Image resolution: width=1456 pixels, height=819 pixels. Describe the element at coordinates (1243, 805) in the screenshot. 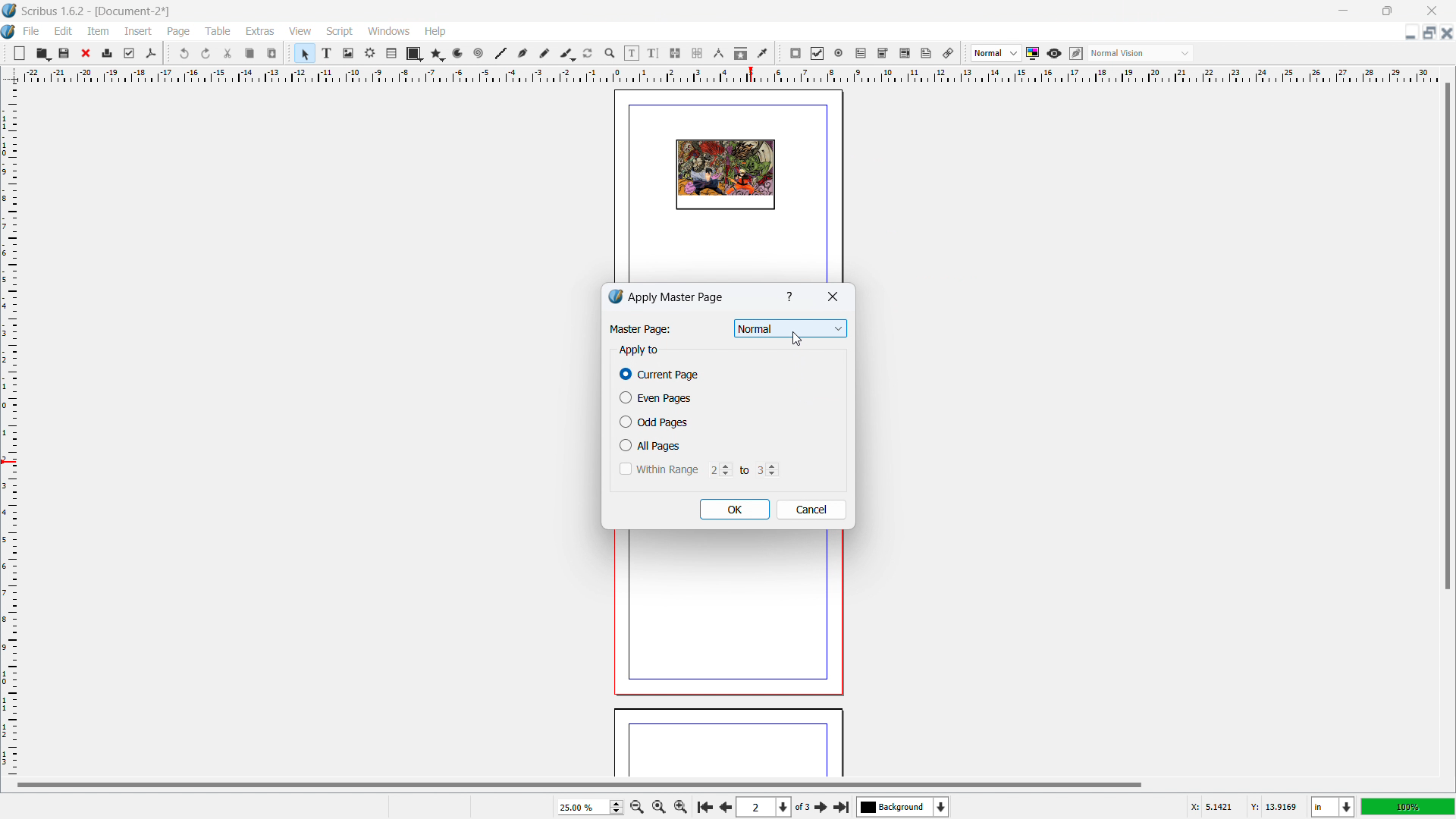

I see `cursor coordinate` at that location.